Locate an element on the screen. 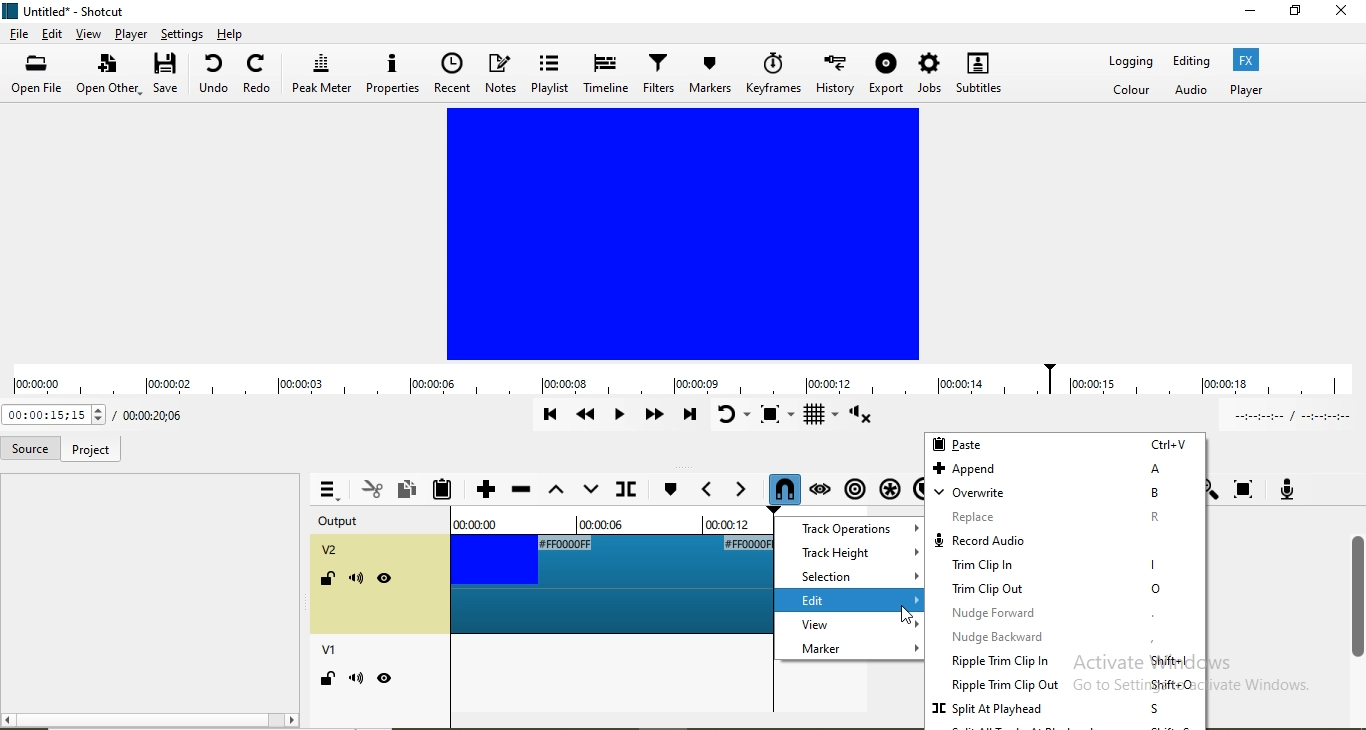 This screenshot has height=730, width=1366. Player is located at coordinates (1246, 89).